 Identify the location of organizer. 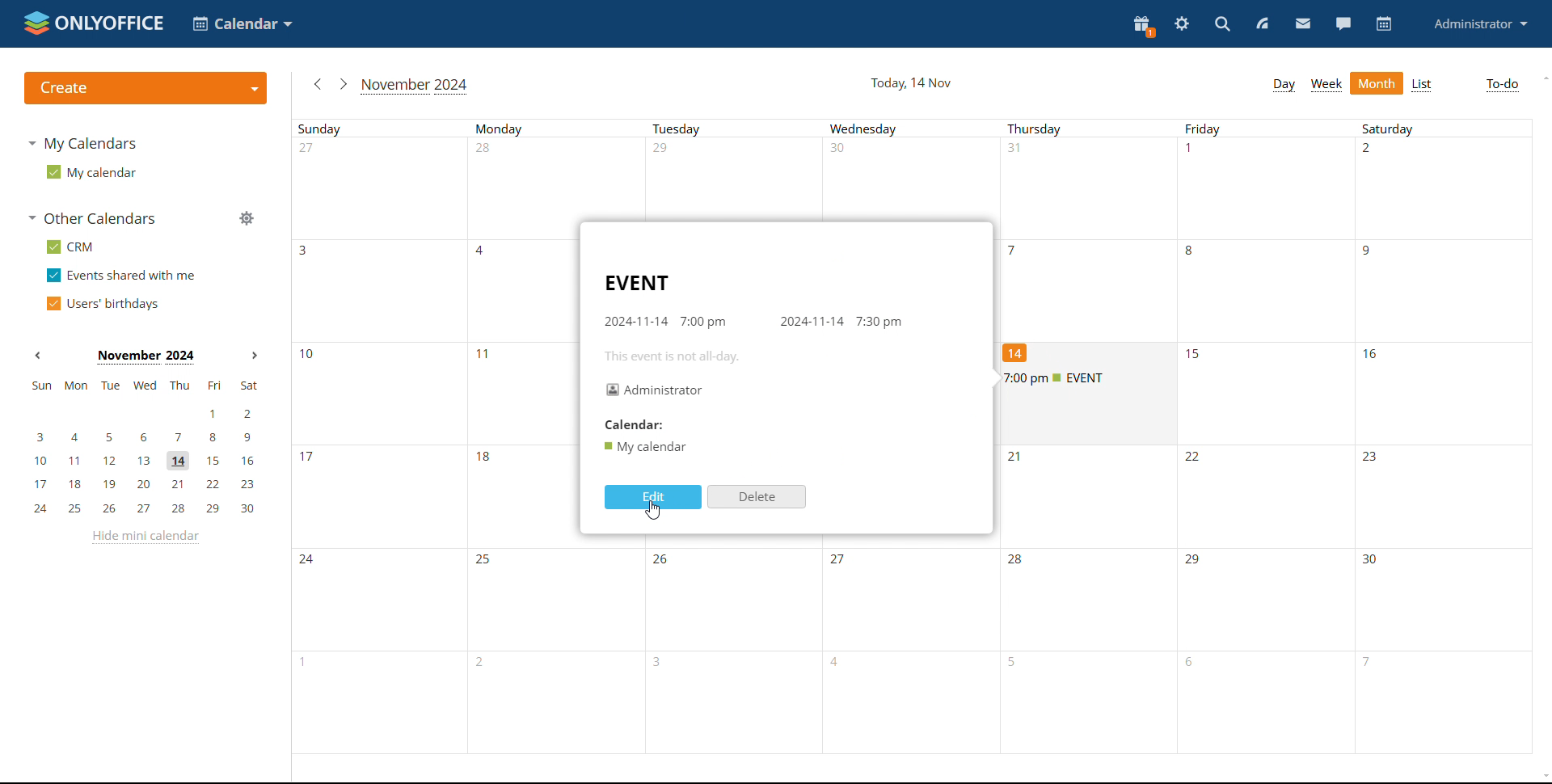
(653, 390).